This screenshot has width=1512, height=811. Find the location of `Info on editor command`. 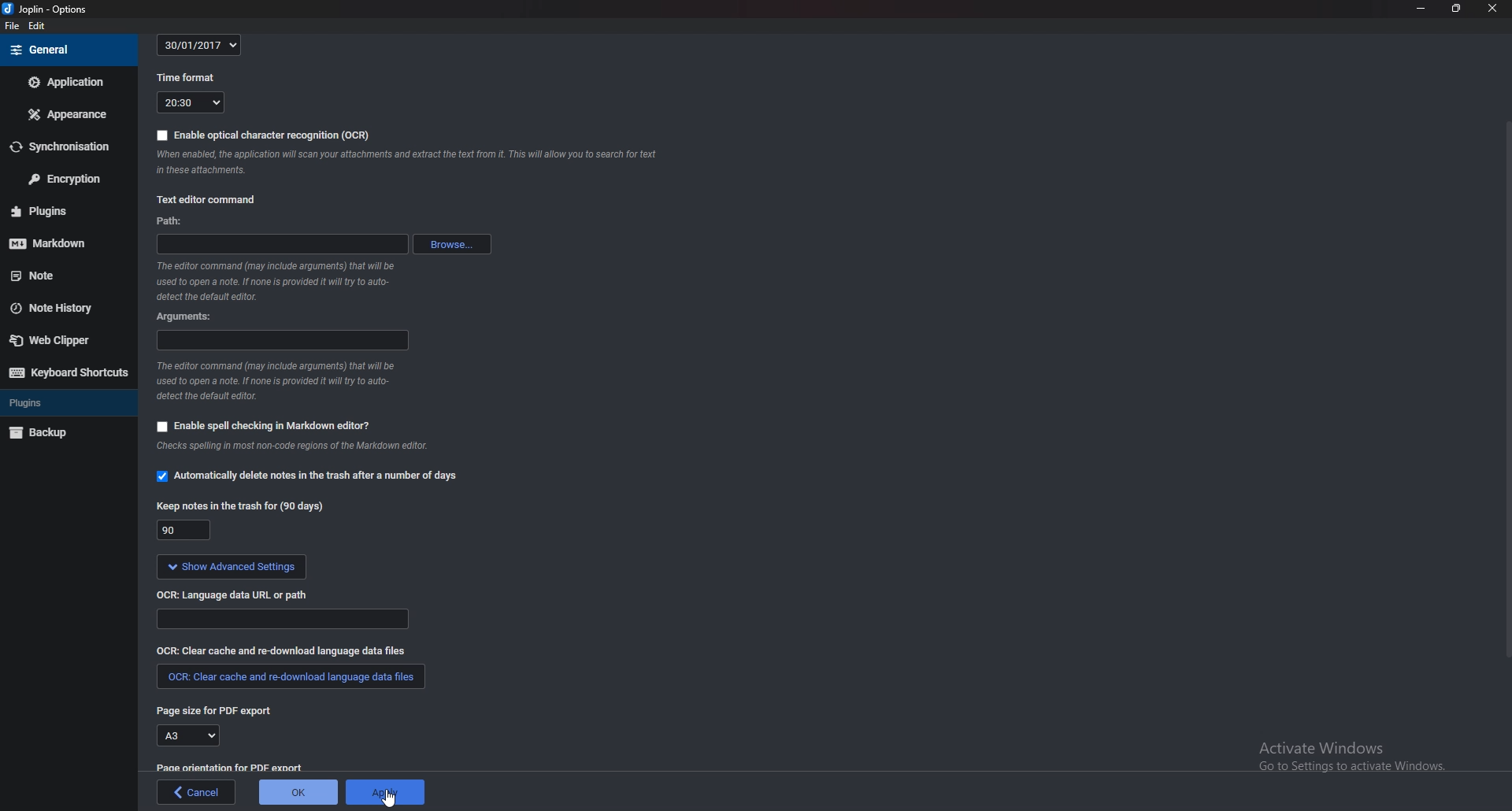

Info on editor command is located at coordinates (279, 381).